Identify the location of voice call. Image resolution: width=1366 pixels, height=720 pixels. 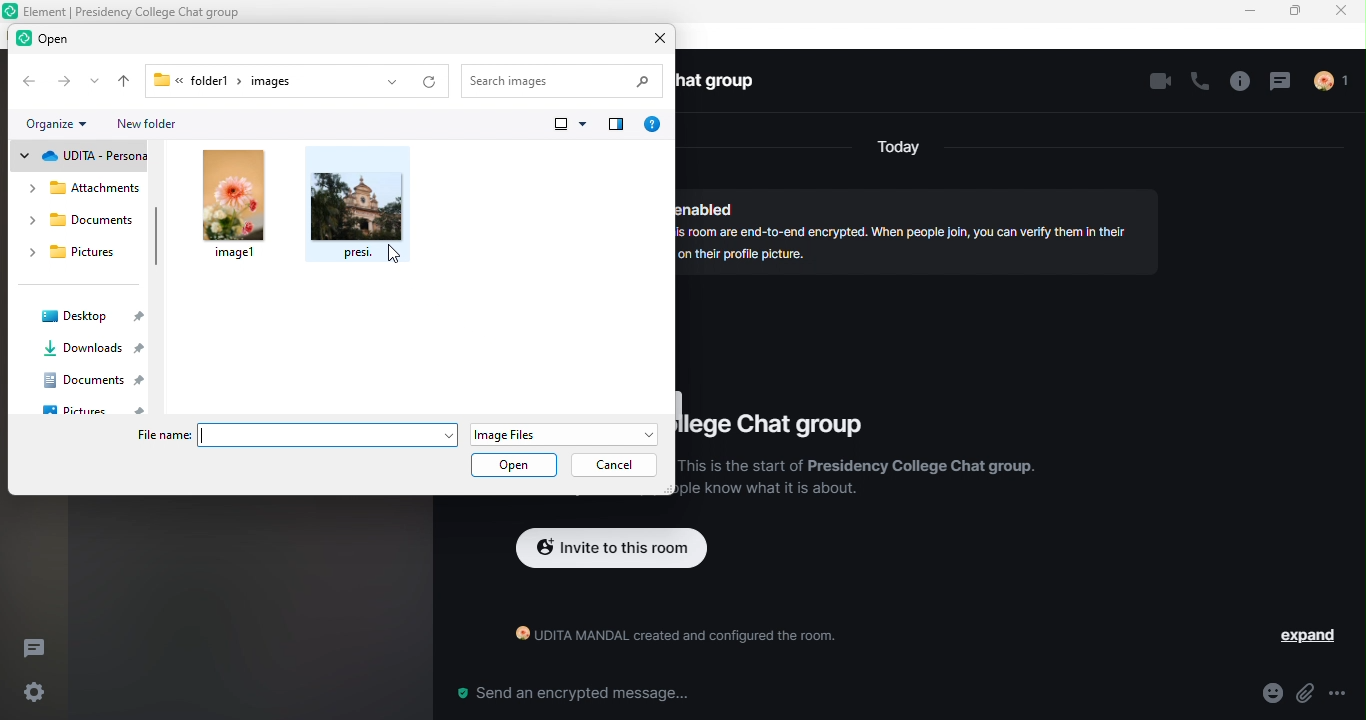
(1198, 84).